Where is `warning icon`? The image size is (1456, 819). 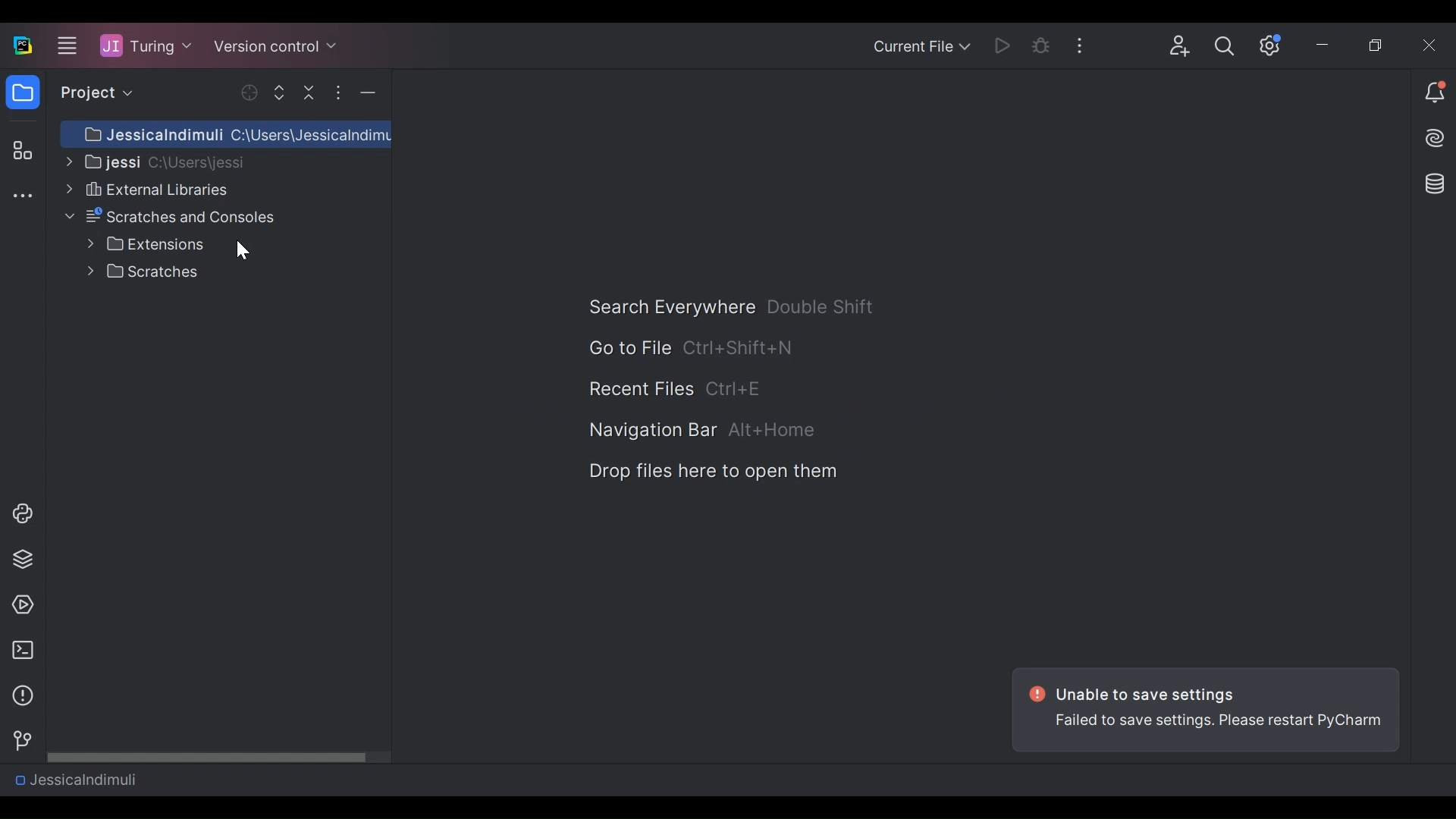 warning icon is located at coordinates (1035, 695).